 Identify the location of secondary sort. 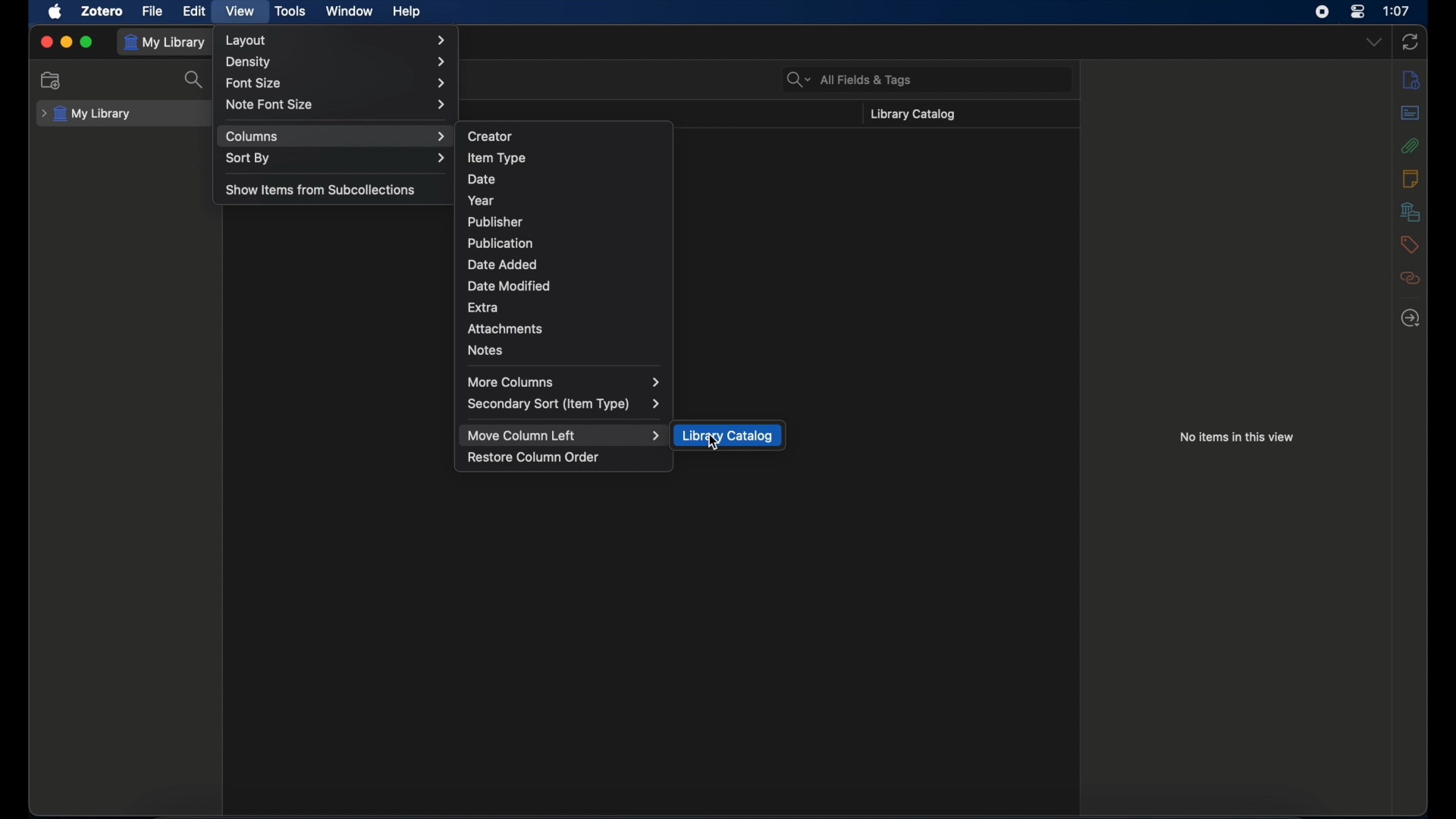
(564, 404).